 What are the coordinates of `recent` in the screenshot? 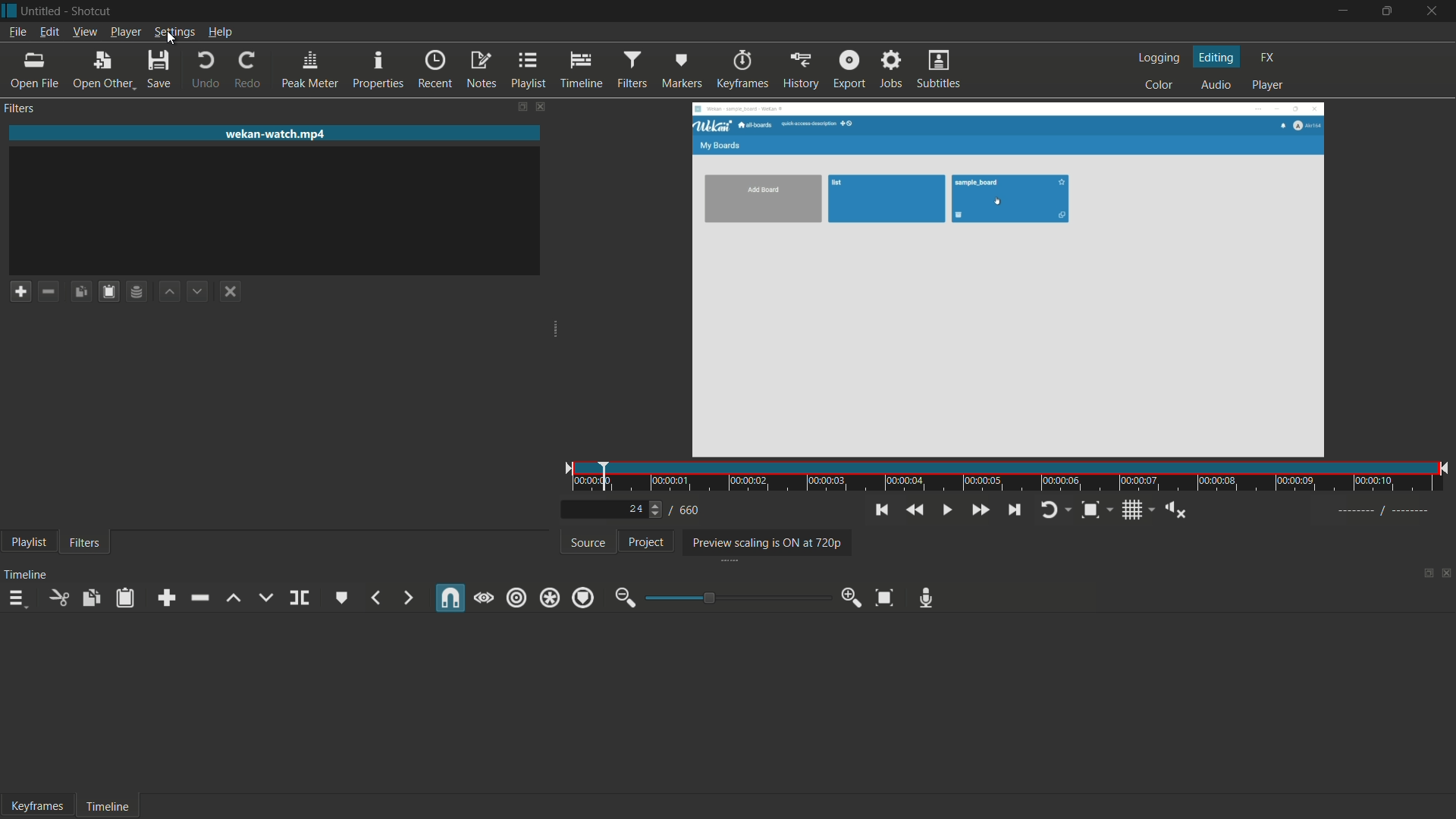 It's located at (435, 69).